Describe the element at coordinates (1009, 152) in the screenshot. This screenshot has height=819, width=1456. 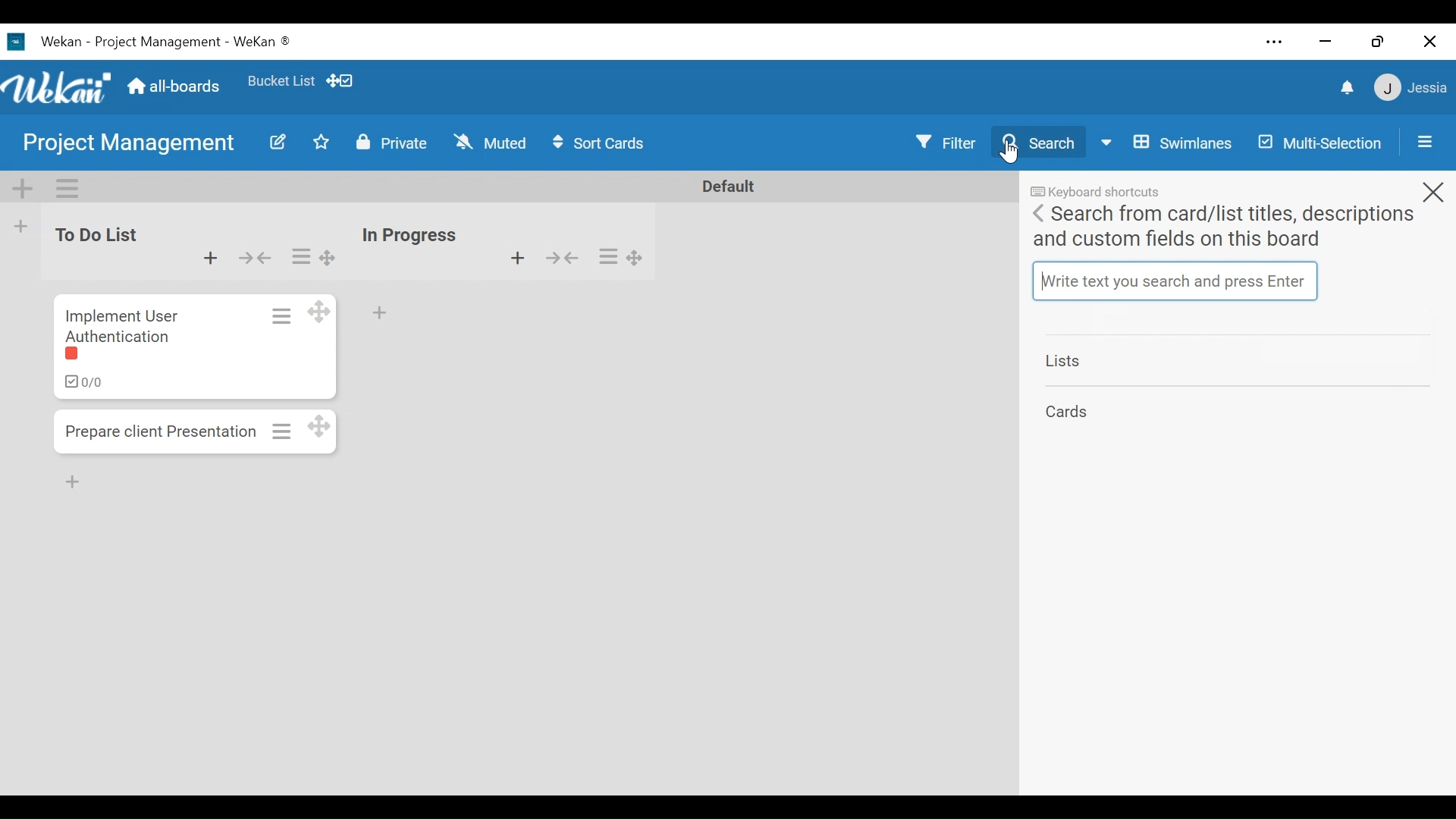
I see `Cursor` at that location.